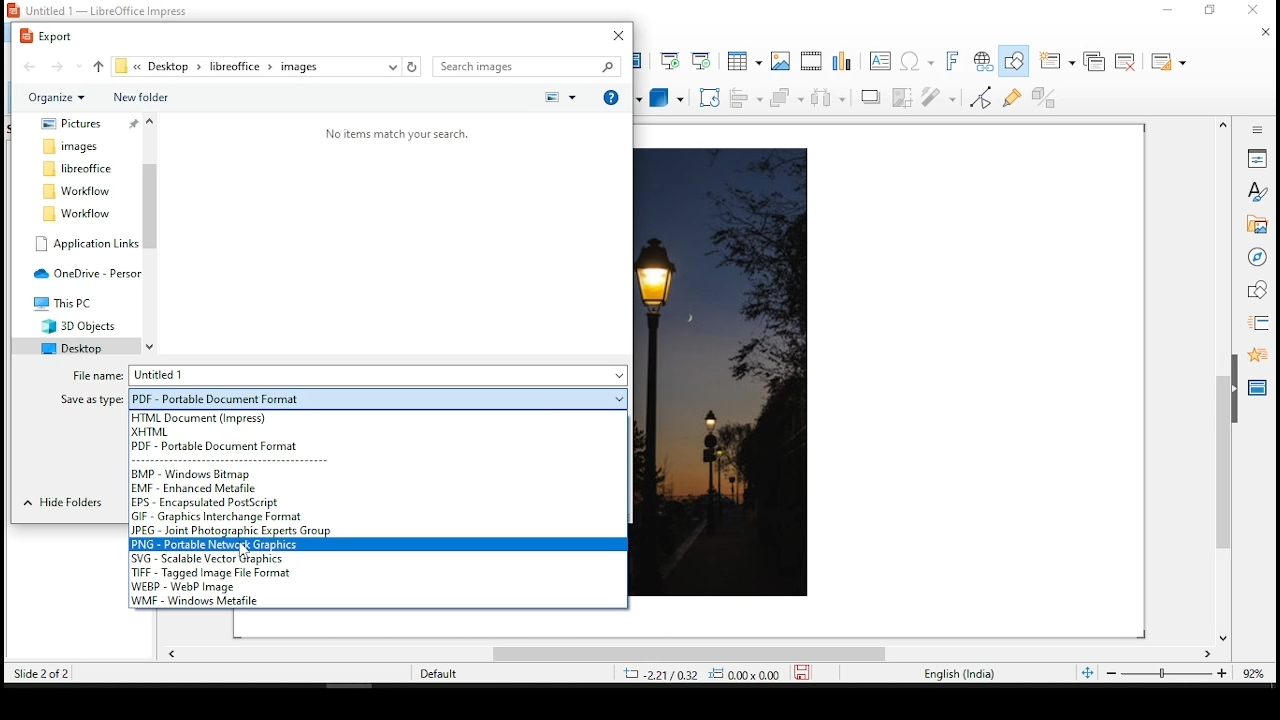  What do you see at coordinates (1169, 61) in the screenshot?
I see `slide layout` at bounding box center [1169, 61].